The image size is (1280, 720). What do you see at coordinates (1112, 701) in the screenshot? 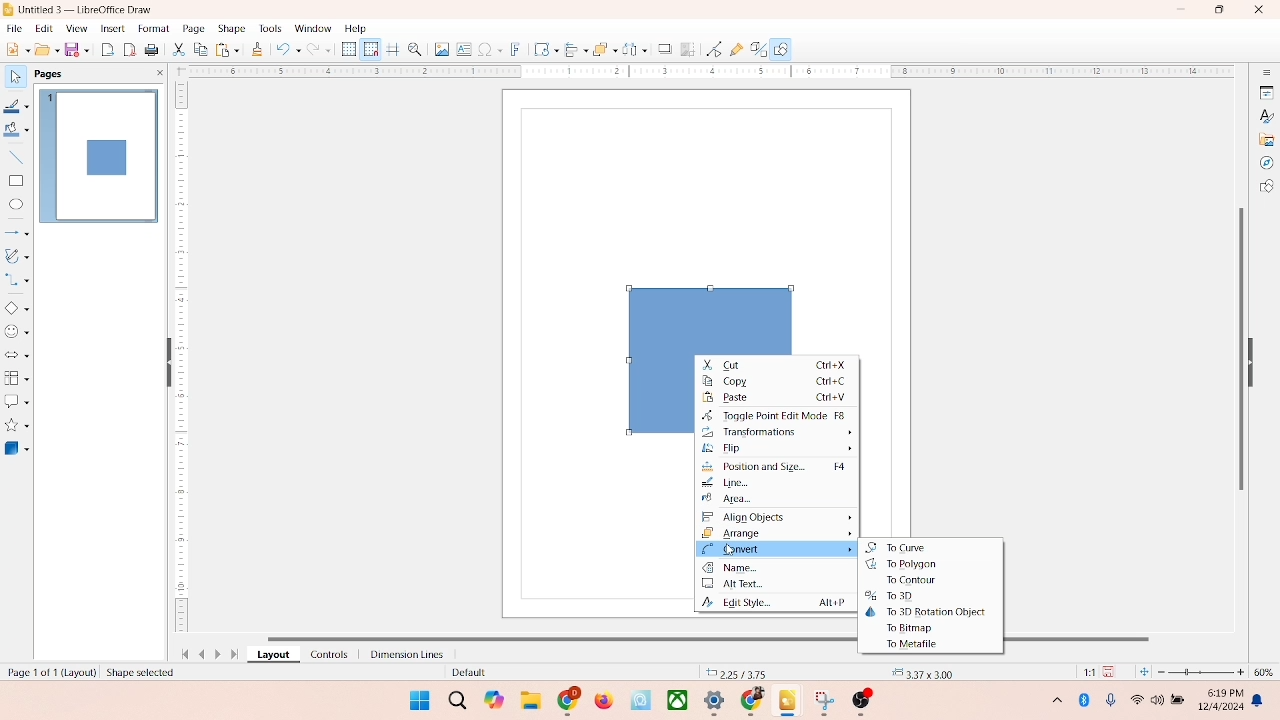
I see `microphone` at bounding box center [1112, 701].